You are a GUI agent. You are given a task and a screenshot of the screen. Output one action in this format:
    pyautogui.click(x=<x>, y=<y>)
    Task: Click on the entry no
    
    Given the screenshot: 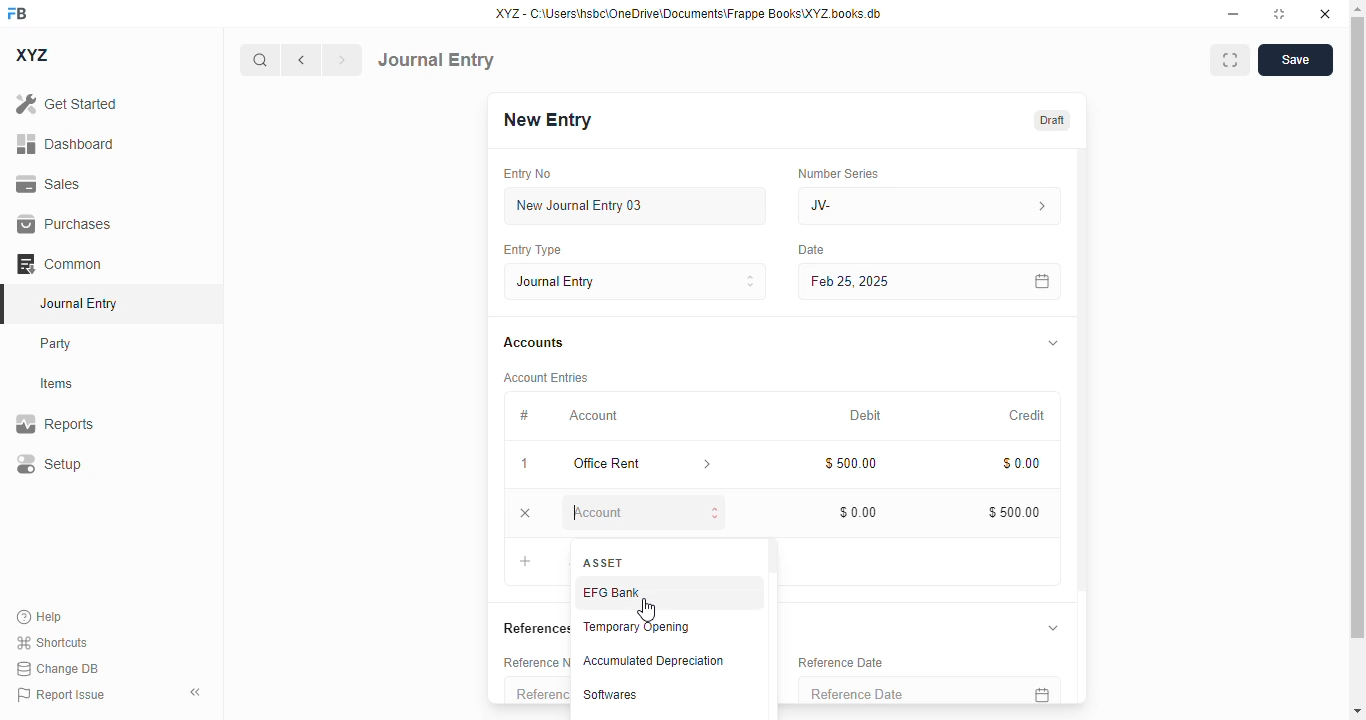 What is the action you would take?
    pyautogui.click(x=526, y=173)
    